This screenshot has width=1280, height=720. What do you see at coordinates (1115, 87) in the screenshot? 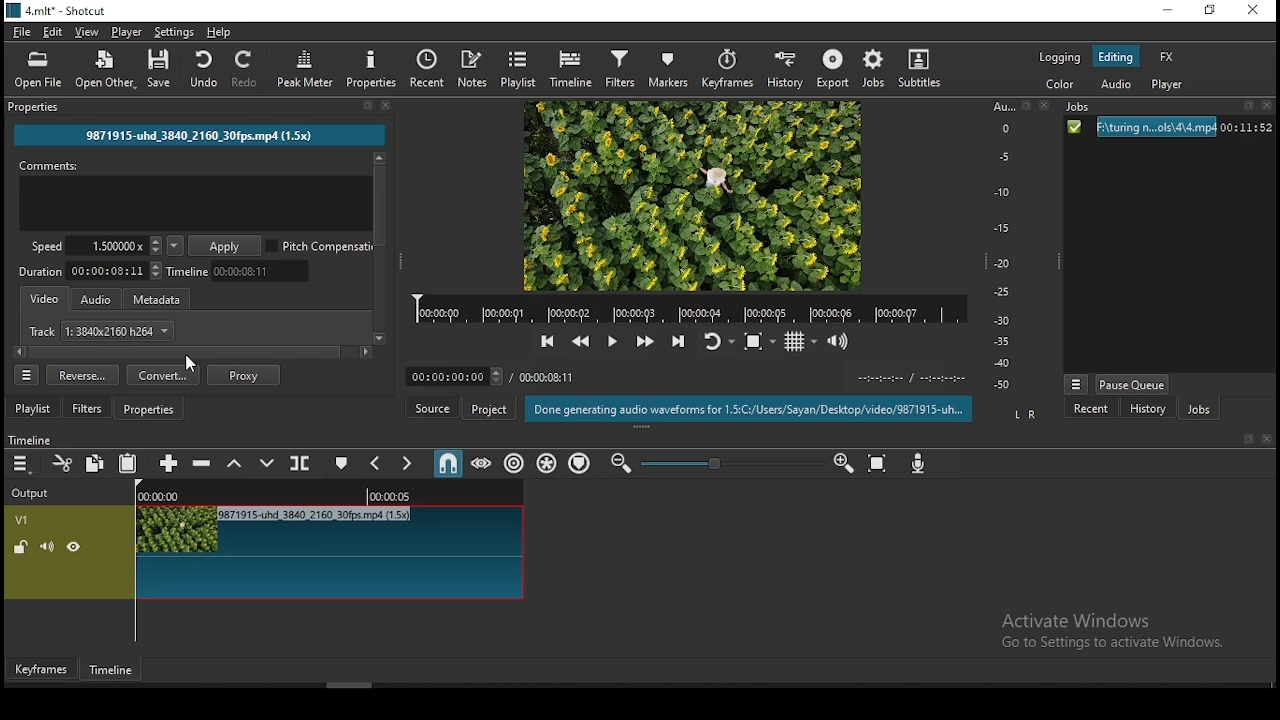
I see `audio` at bounding box center [1115, 87].